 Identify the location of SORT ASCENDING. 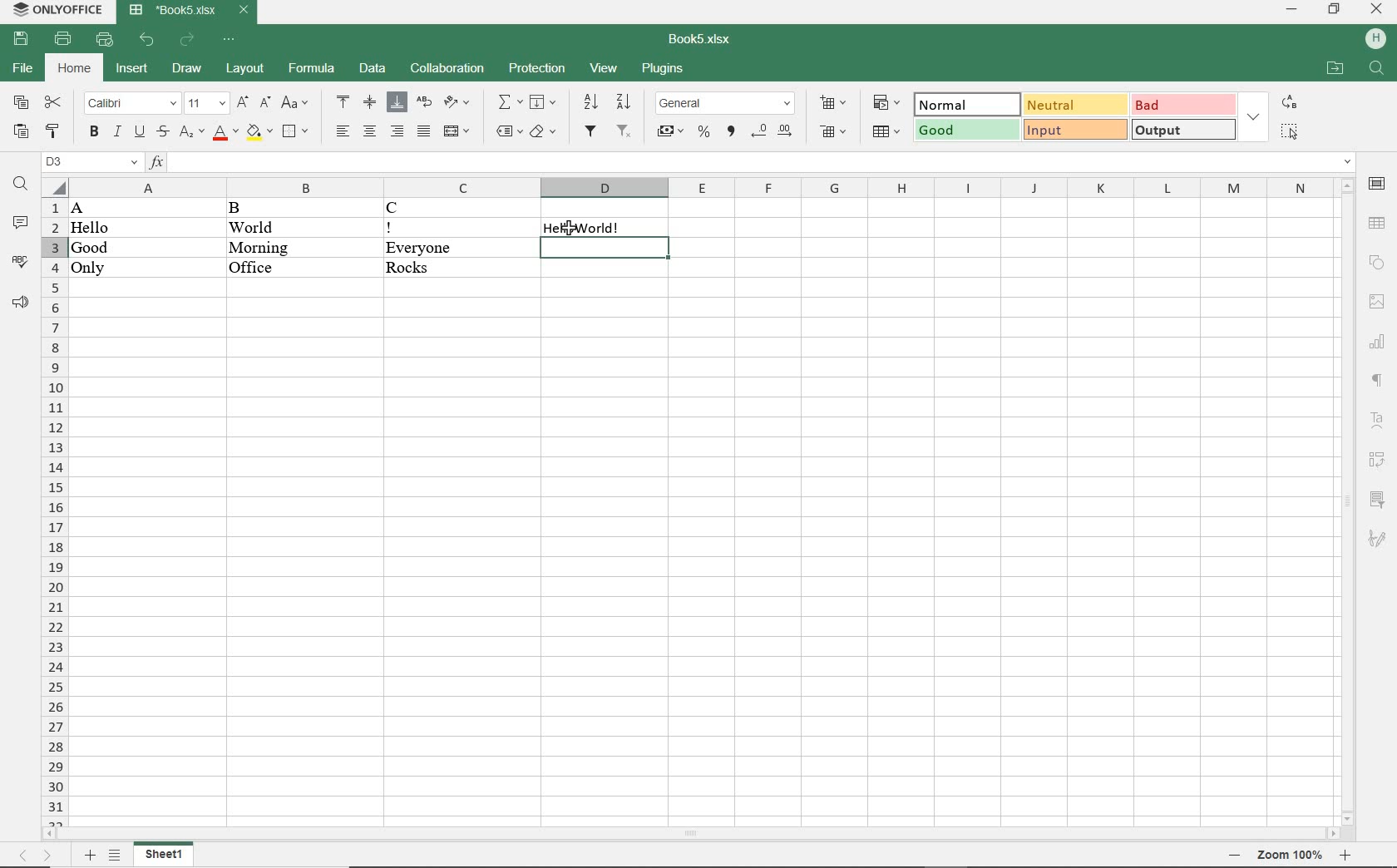
(590, 102).